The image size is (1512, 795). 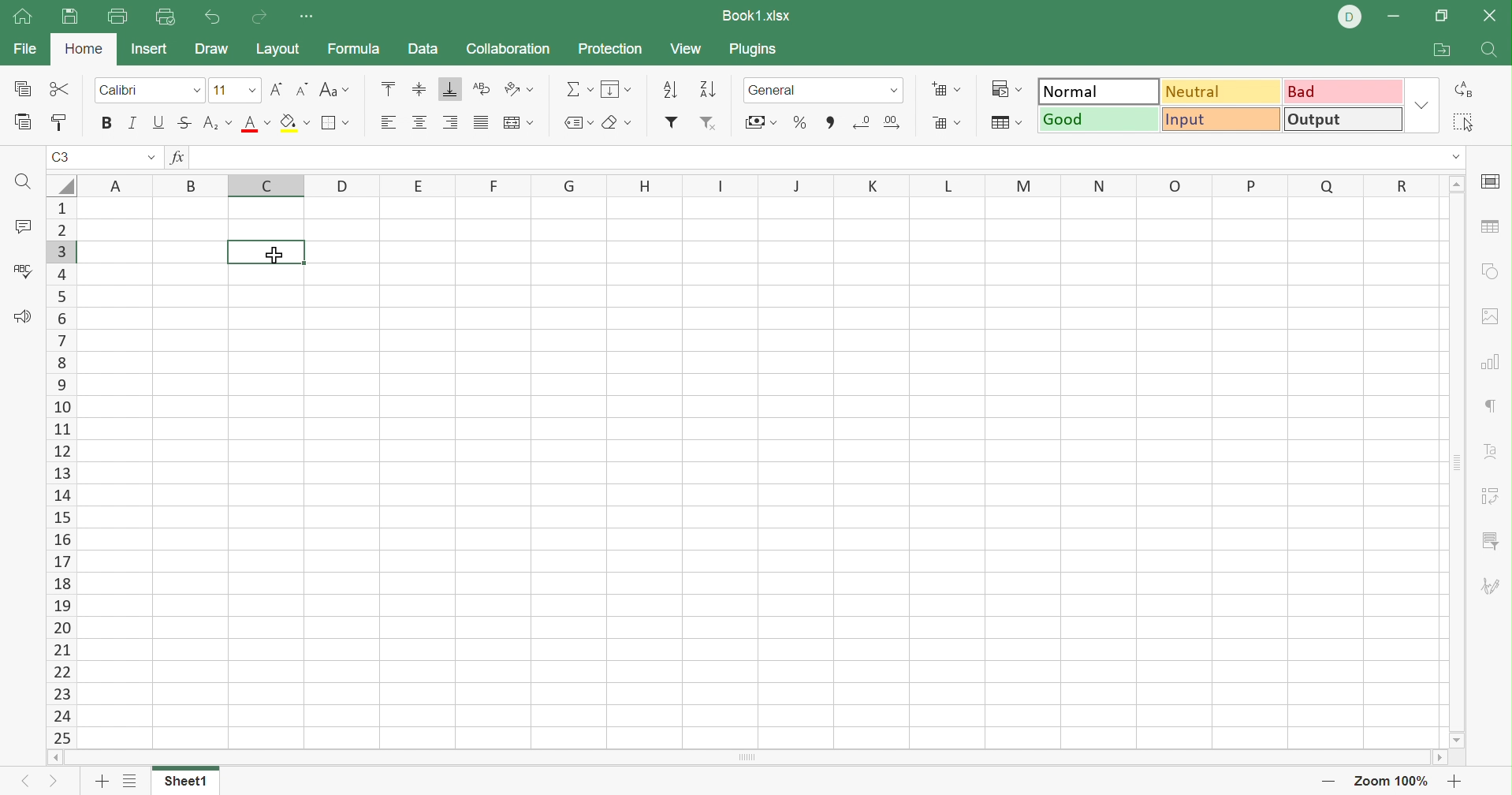 I want to click on Copy, so click(x=25, y=88).